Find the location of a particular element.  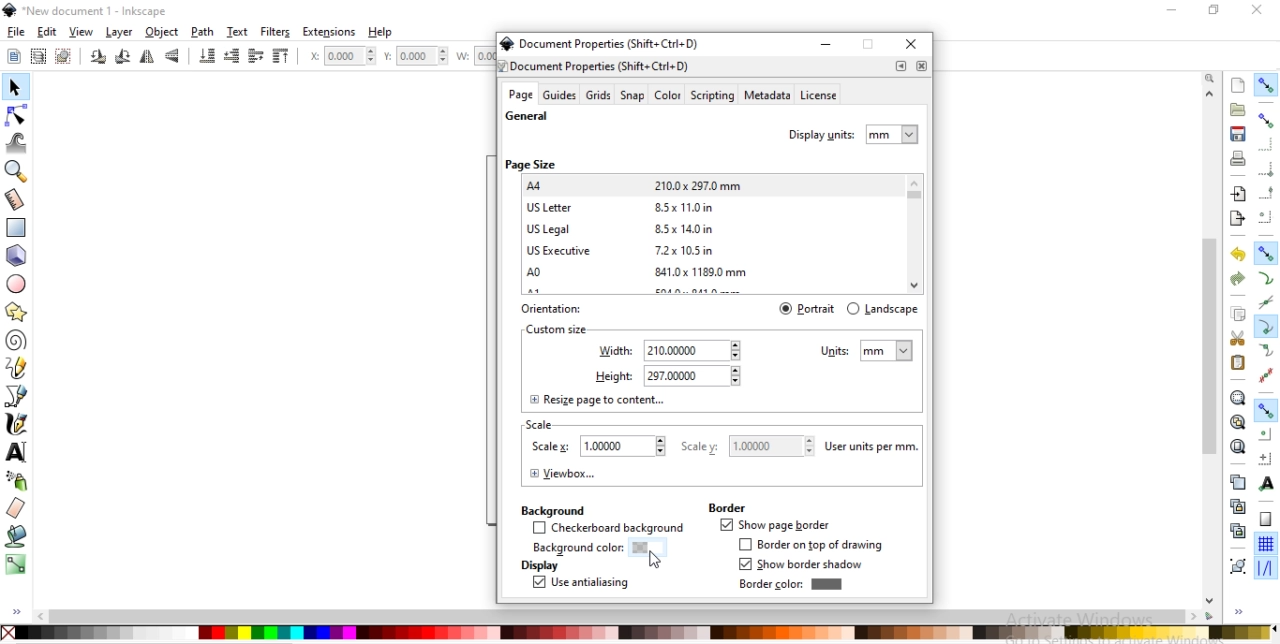

snap an items rotation center is located at coordinates (1266, 458).